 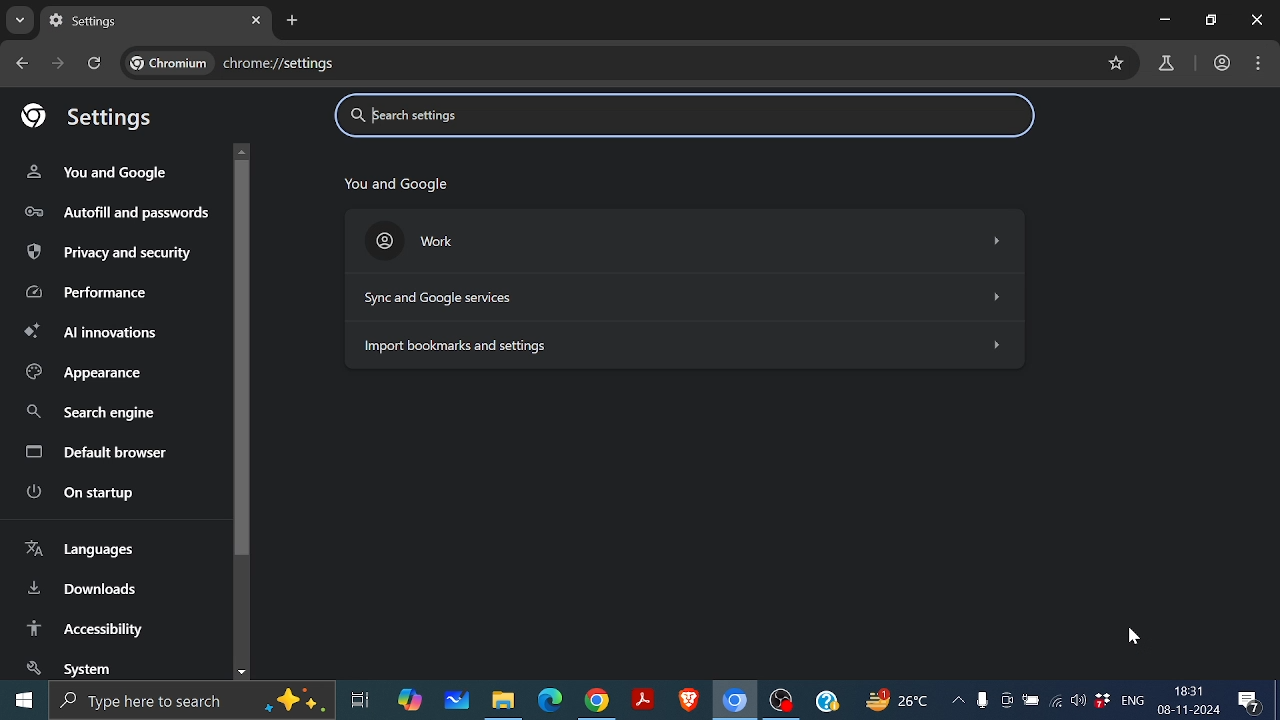 What do you see at coordinates (244, 671) in the screenshot?
I see `move down` at bounding box center [244, 671].